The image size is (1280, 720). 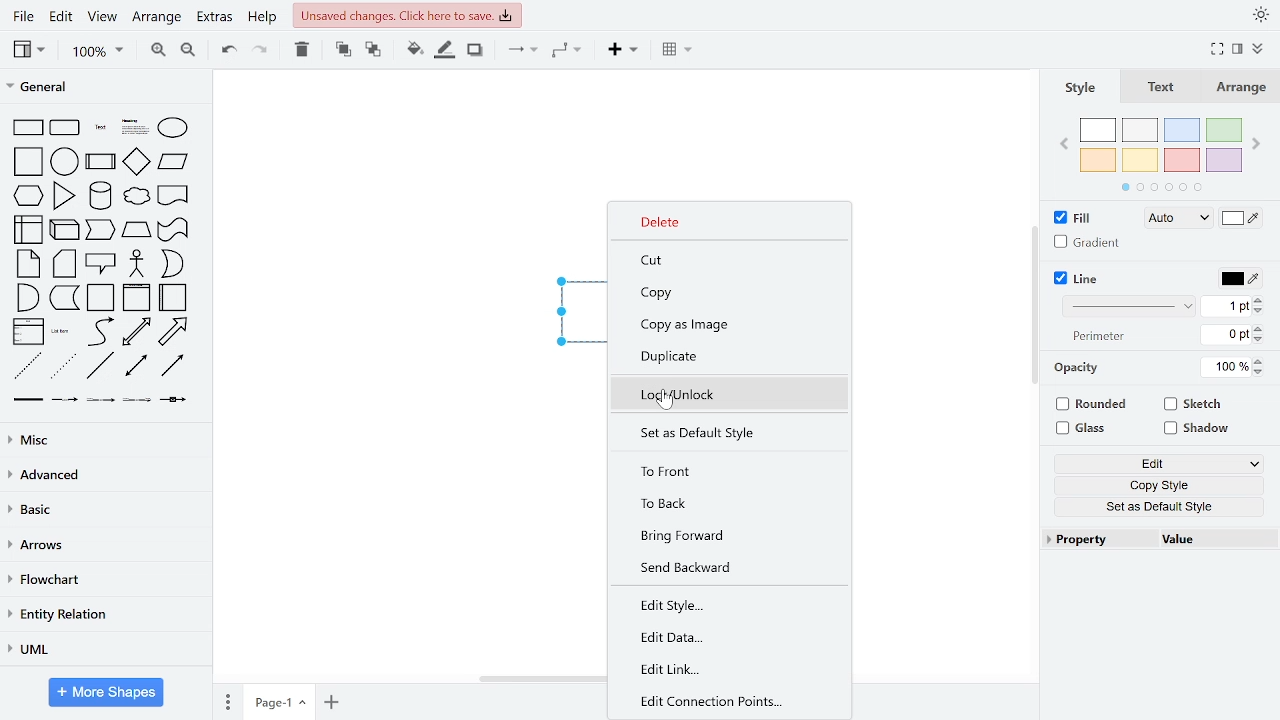 What do you see at coordinates (66, 399) in the screenshot?
I see `connector with label` at bounding box center [66, 399].